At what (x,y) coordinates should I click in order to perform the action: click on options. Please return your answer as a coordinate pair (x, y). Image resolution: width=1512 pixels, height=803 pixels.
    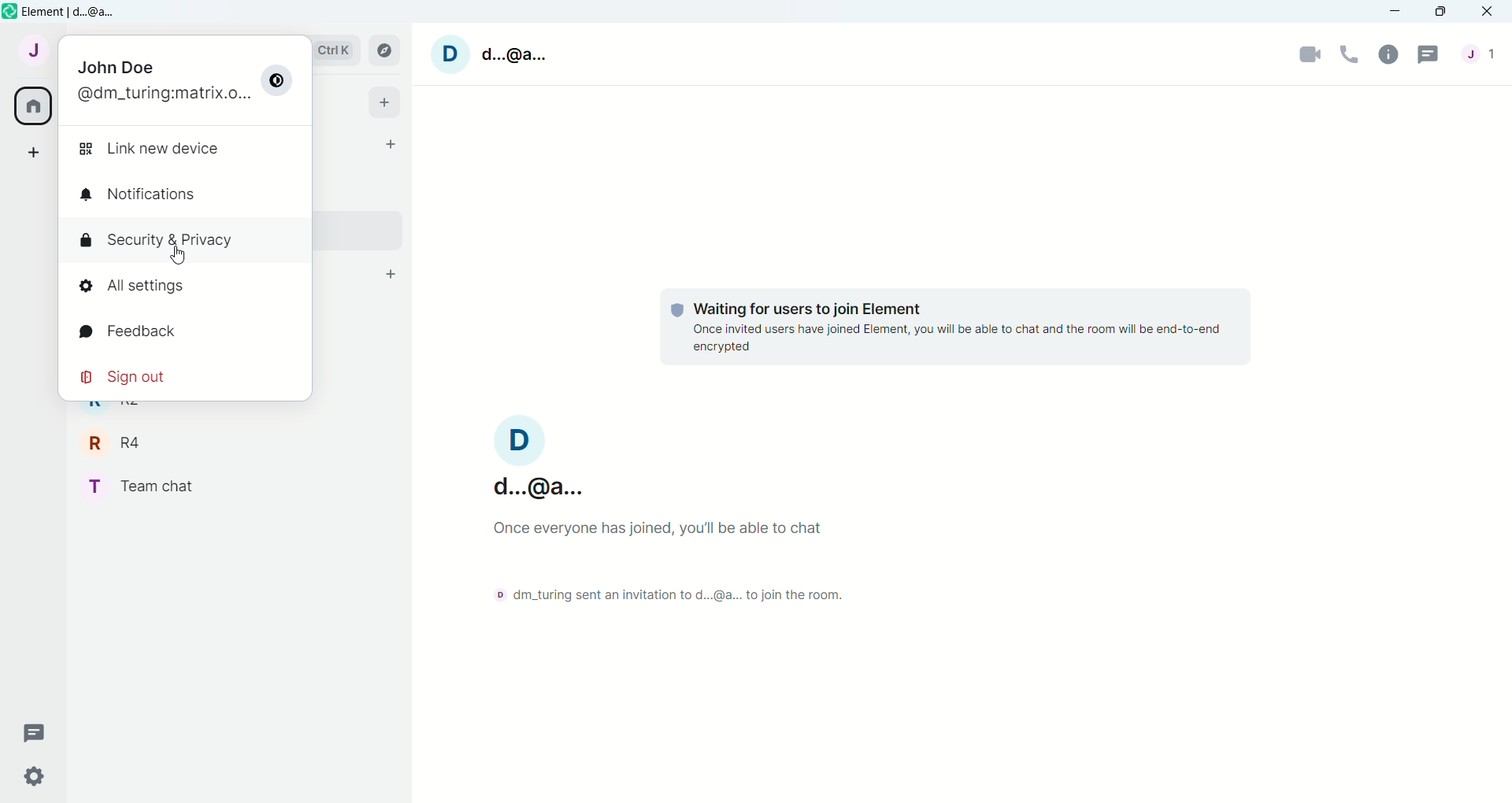
    Looking at the image, I should click on (277, 80).